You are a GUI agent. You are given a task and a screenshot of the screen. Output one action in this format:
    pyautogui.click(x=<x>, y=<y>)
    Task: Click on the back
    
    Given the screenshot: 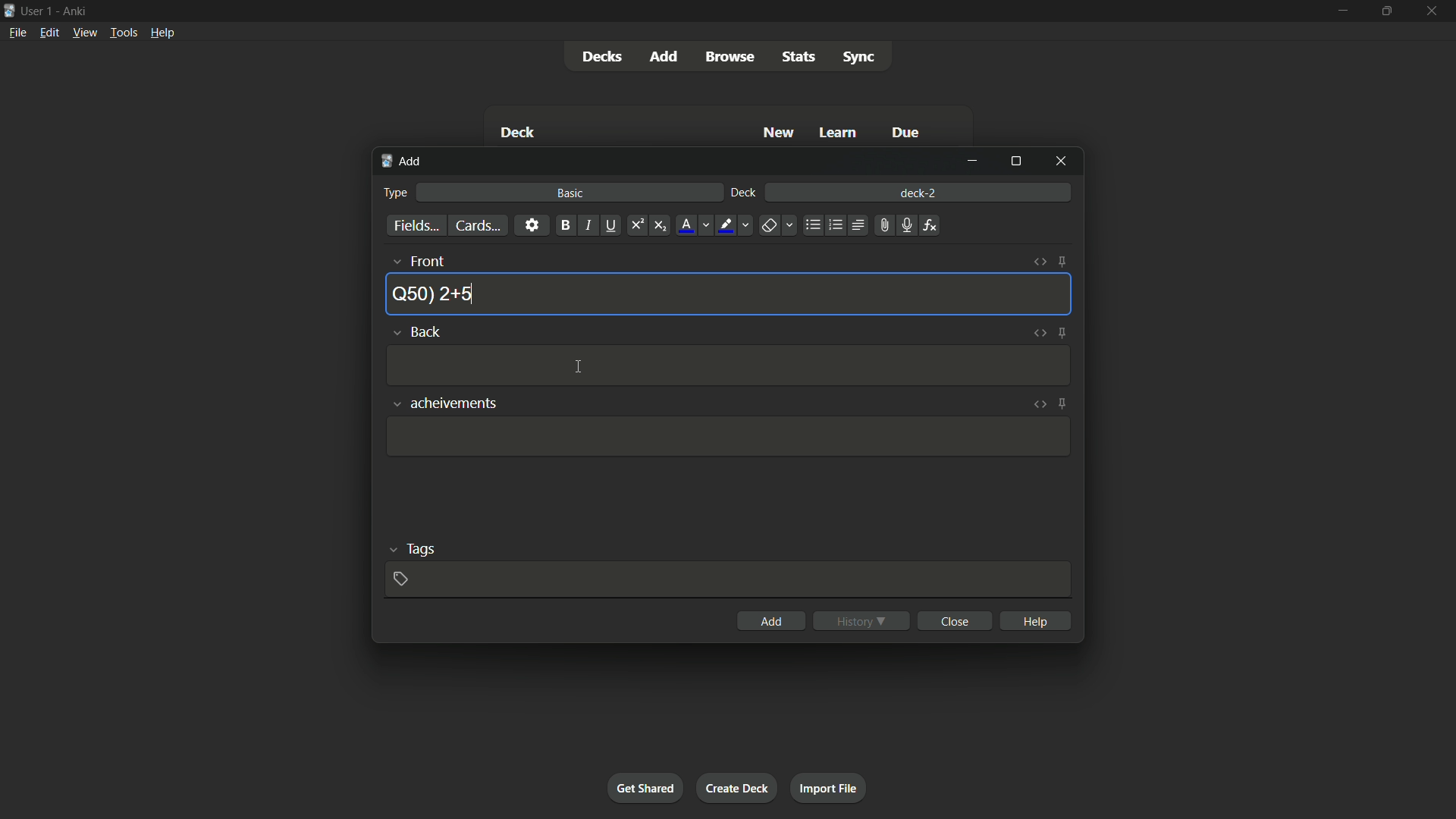 What is the action you would take?
    pyautogui.click(x=417, y=331)
    